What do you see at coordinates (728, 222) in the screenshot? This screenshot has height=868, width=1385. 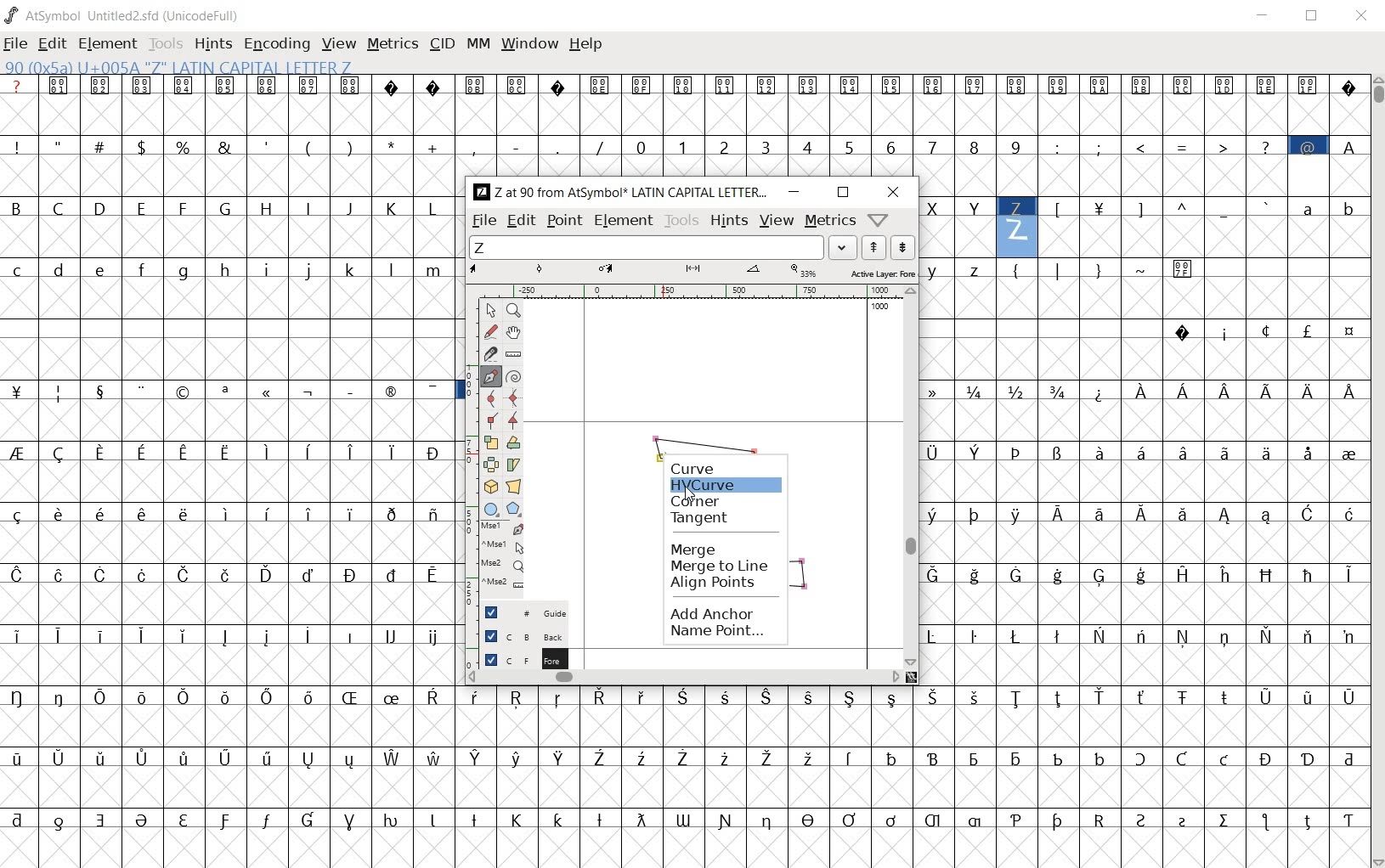 I see `hints` at bounding box center [728, 222].